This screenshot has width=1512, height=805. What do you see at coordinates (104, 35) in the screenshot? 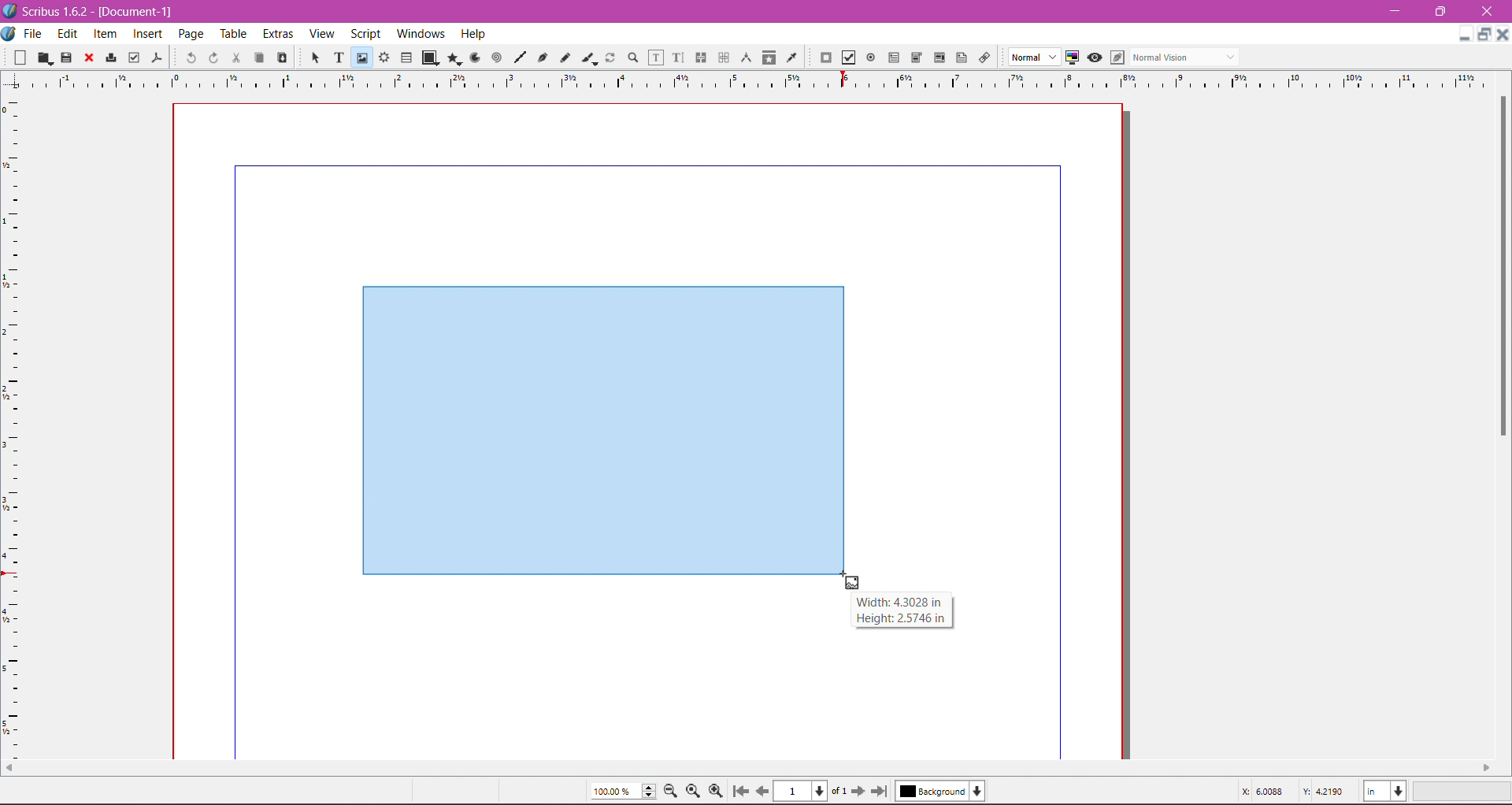
I see `Item` at bounding box center [104, 35].